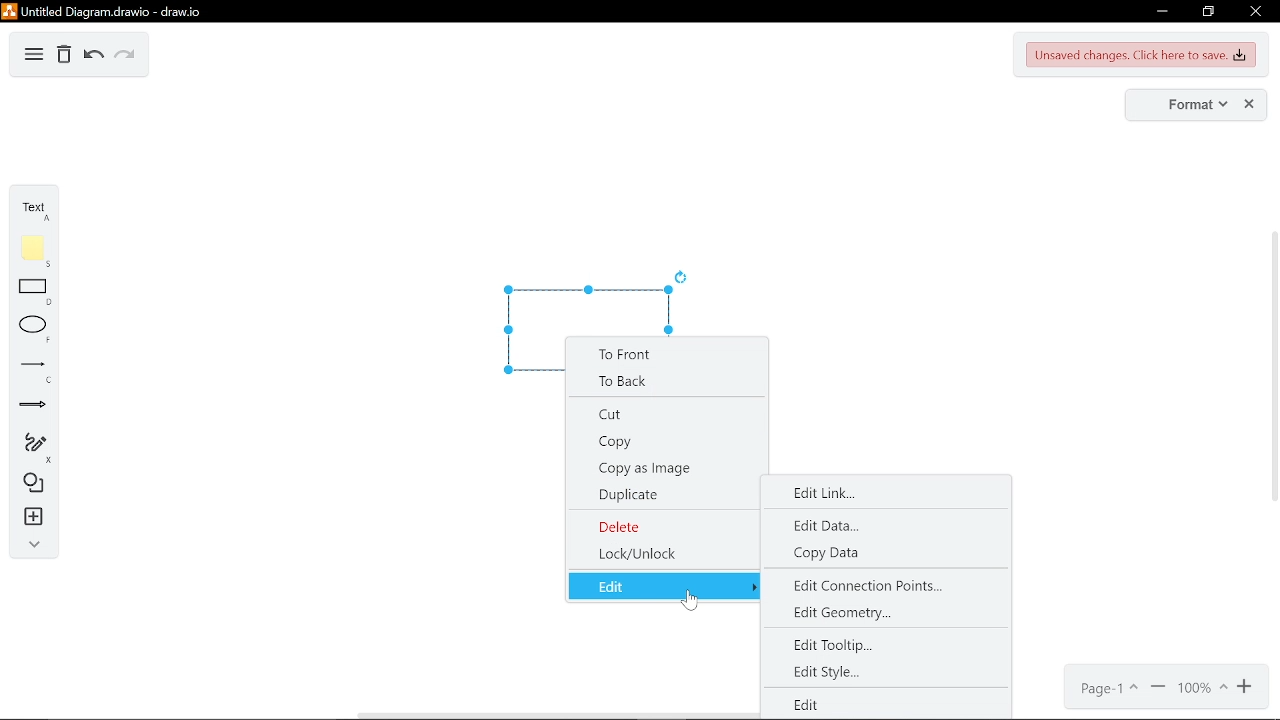 This screenshot has height=720, width=1280. What do you see at coordinates (824, 671) in the screenshot?
I see `edit style` at bounding box center [824, 671].